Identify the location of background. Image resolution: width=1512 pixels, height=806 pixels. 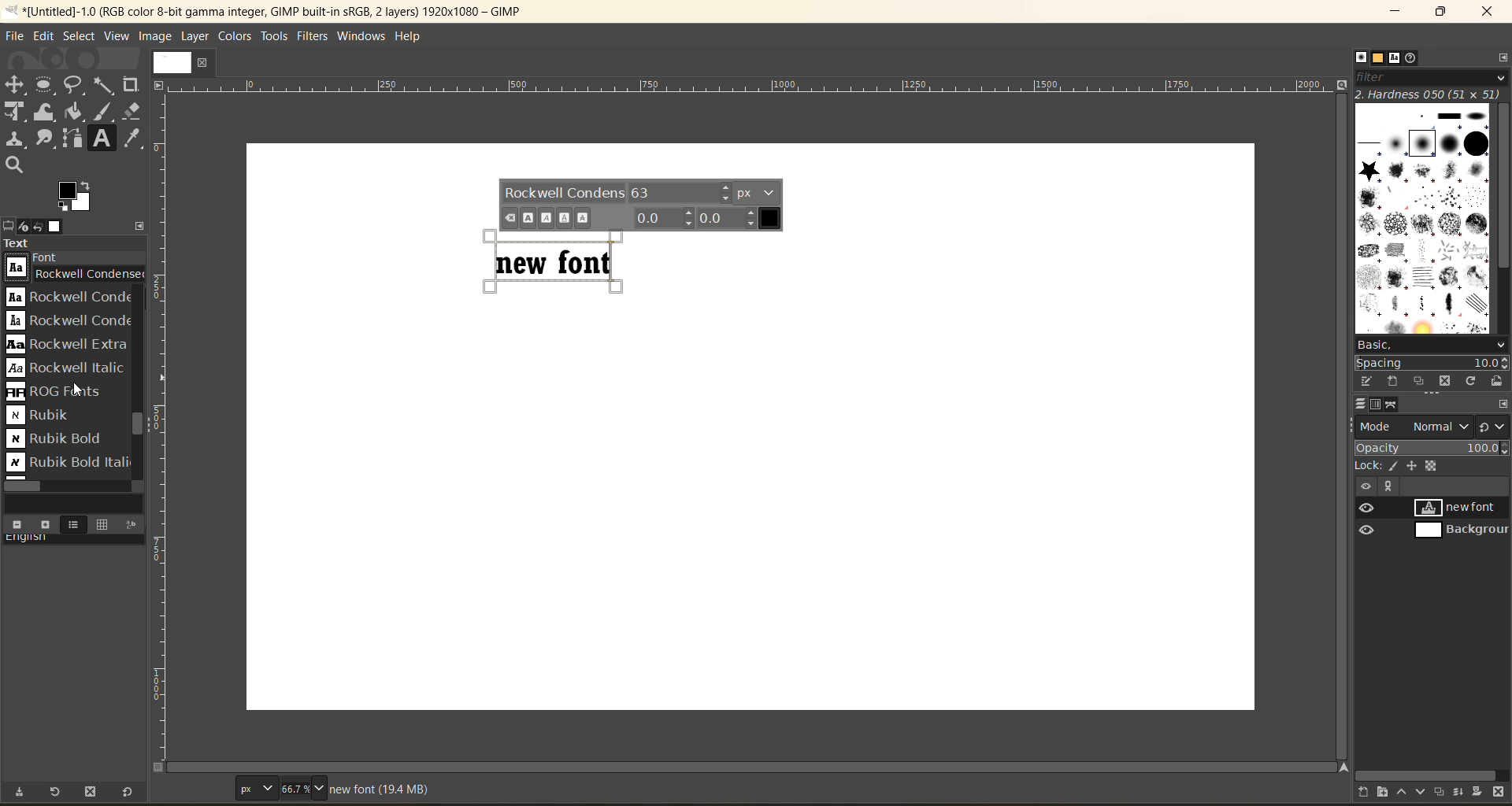
(1464, 531).